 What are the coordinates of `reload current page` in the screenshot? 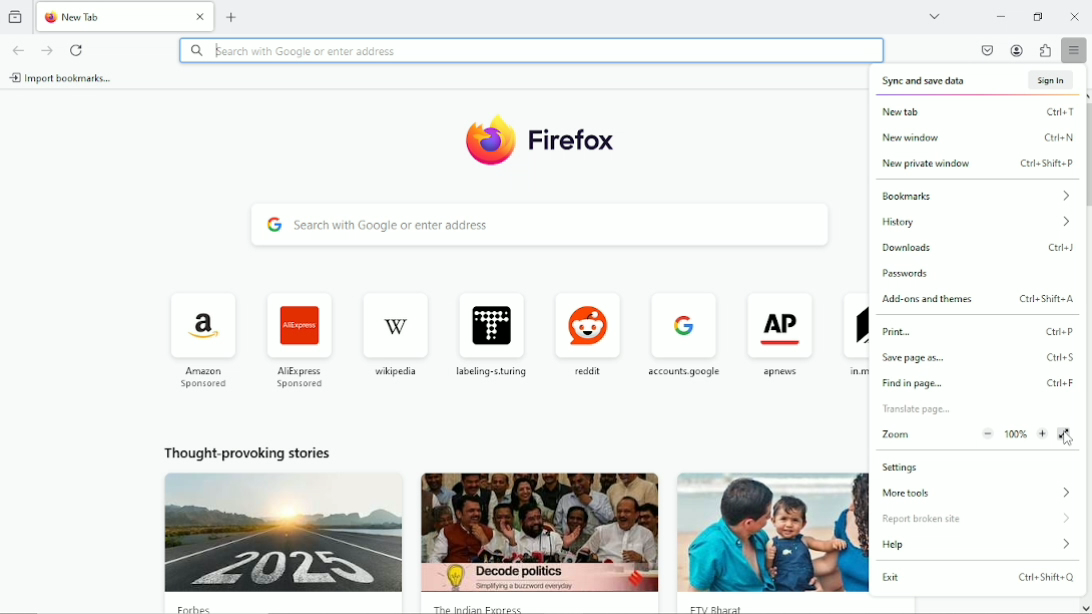 It's located at (79, 49).